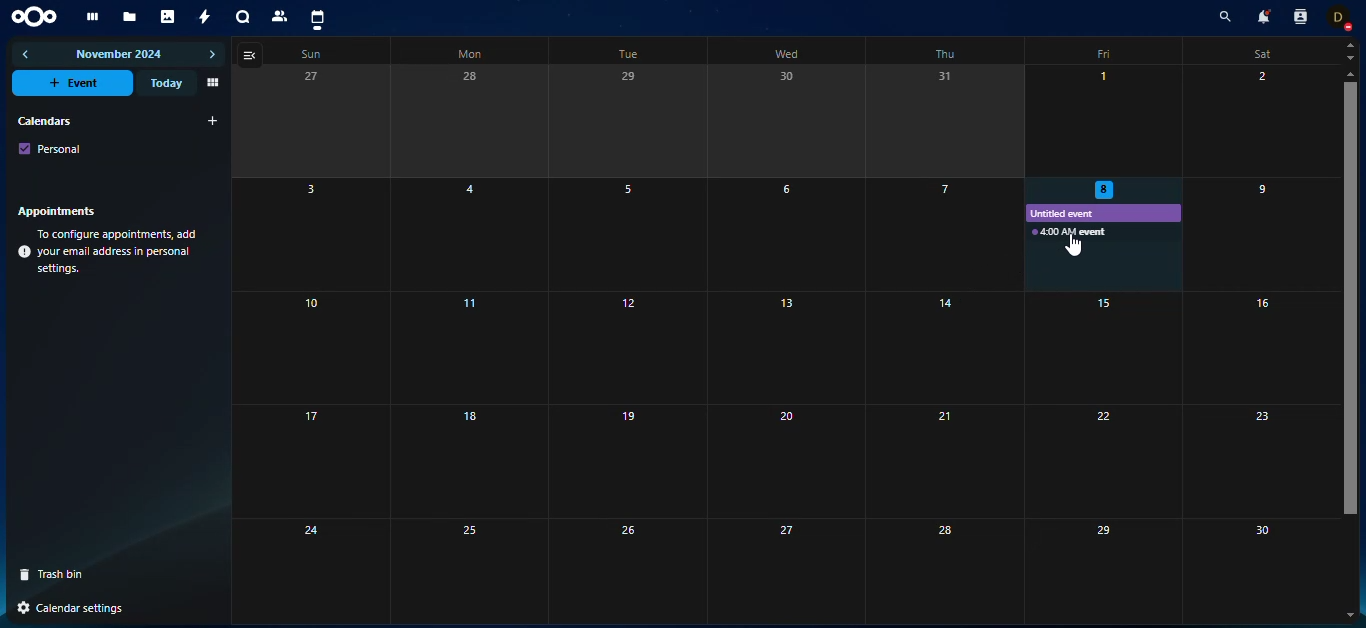 The image size is (1366, 628). What do you see at coordinates (1343, 17) in the screenshot?
I see `profile` at bounding box center [1343, 17].